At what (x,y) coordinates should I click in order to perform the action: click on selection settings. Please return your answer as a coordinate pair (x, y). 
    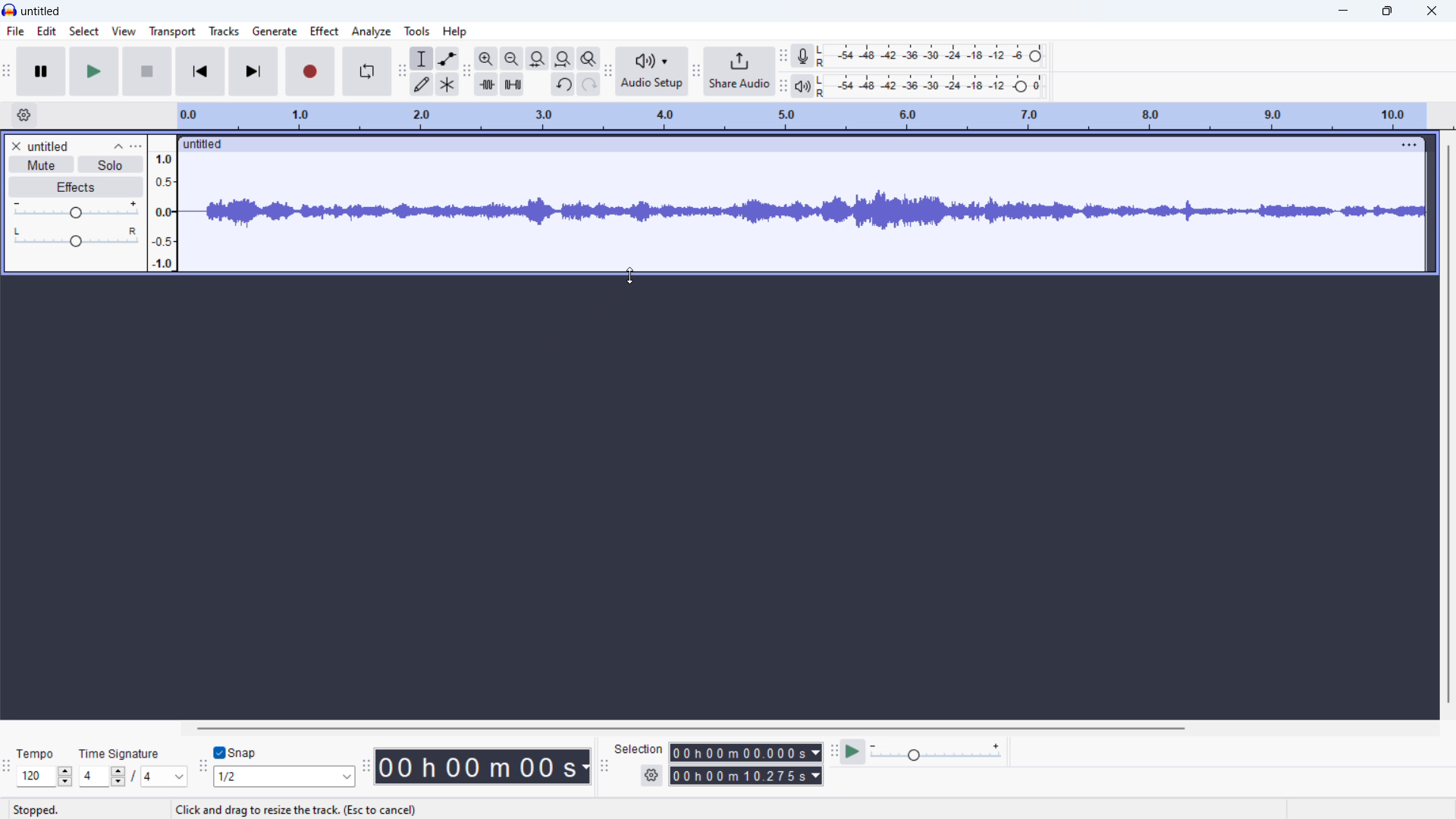
    Looking at the image, I should click on (652, 775).